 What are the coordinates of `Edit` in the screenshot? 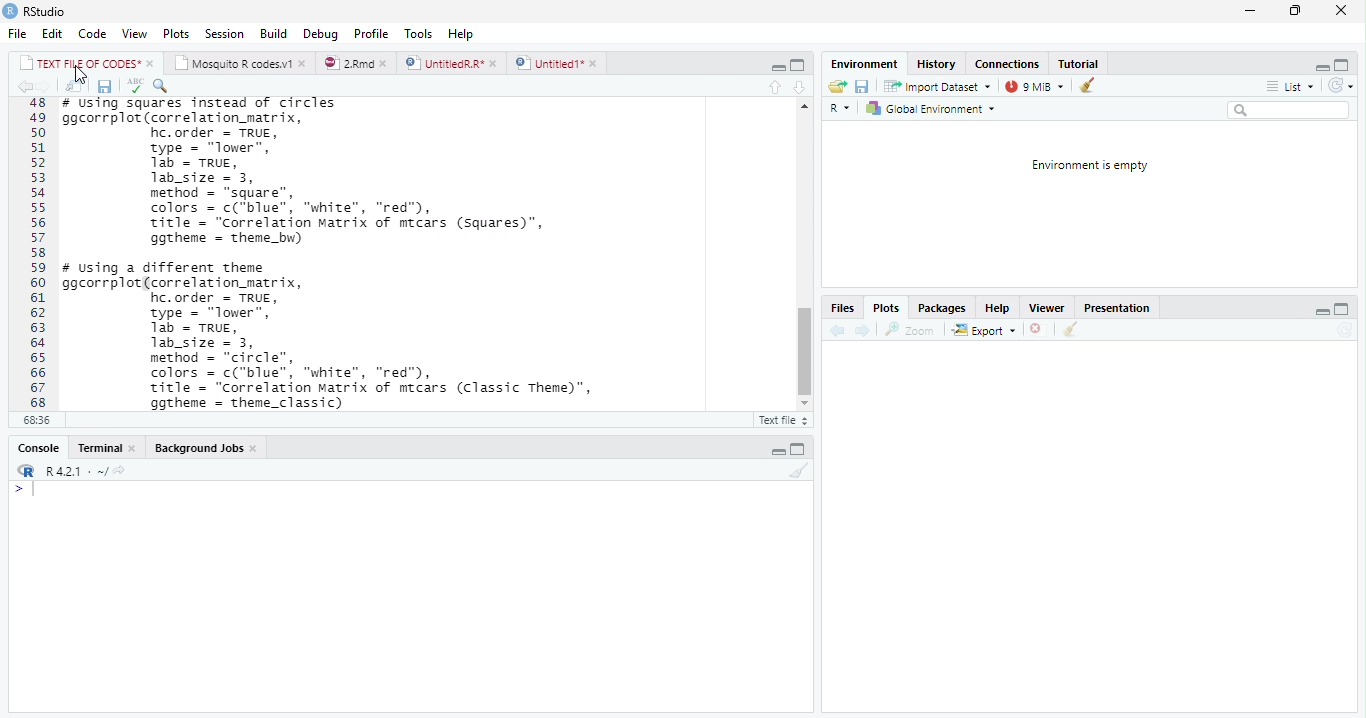 It's located at (53, 34).